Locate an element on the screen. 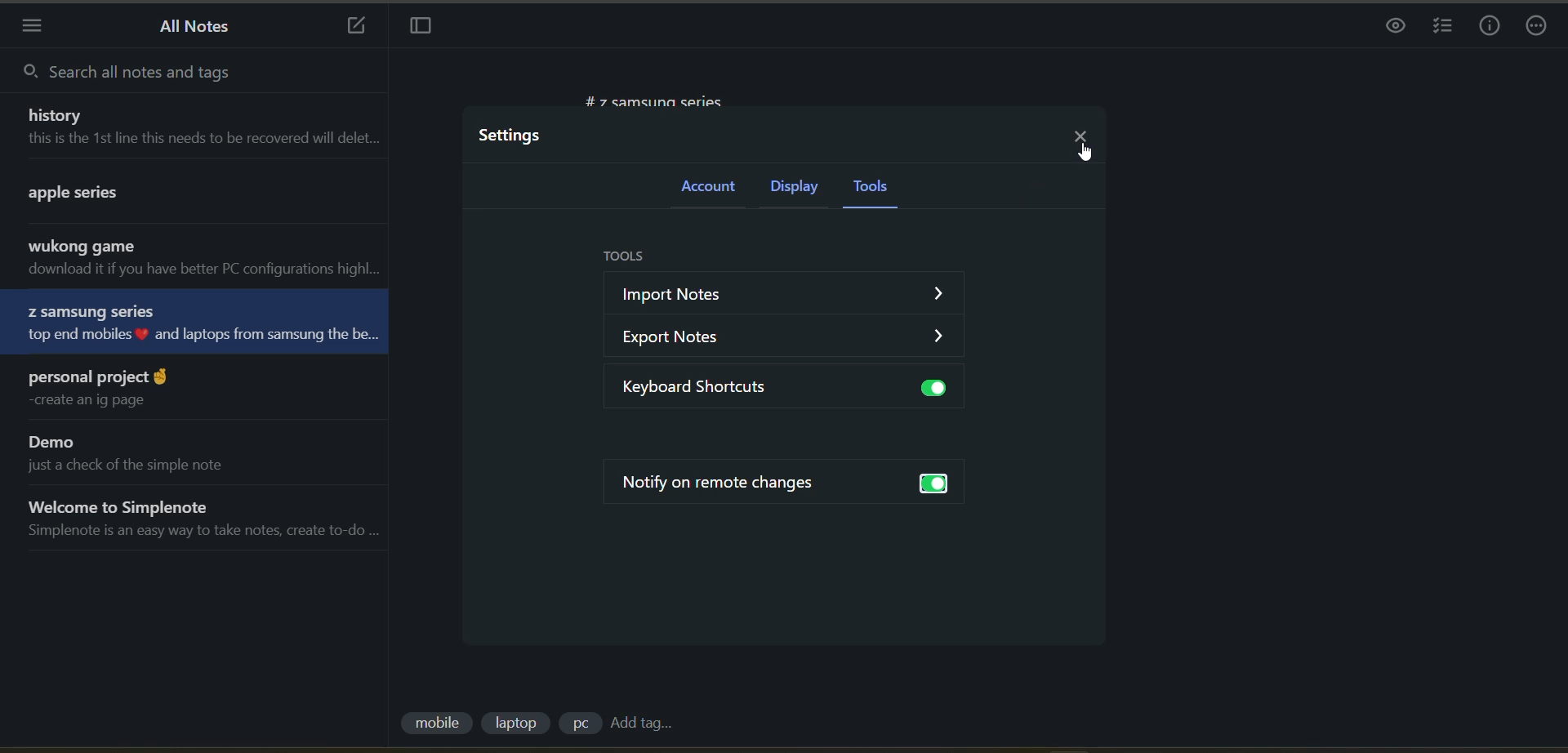  menu is located at coordinates (35, 26).